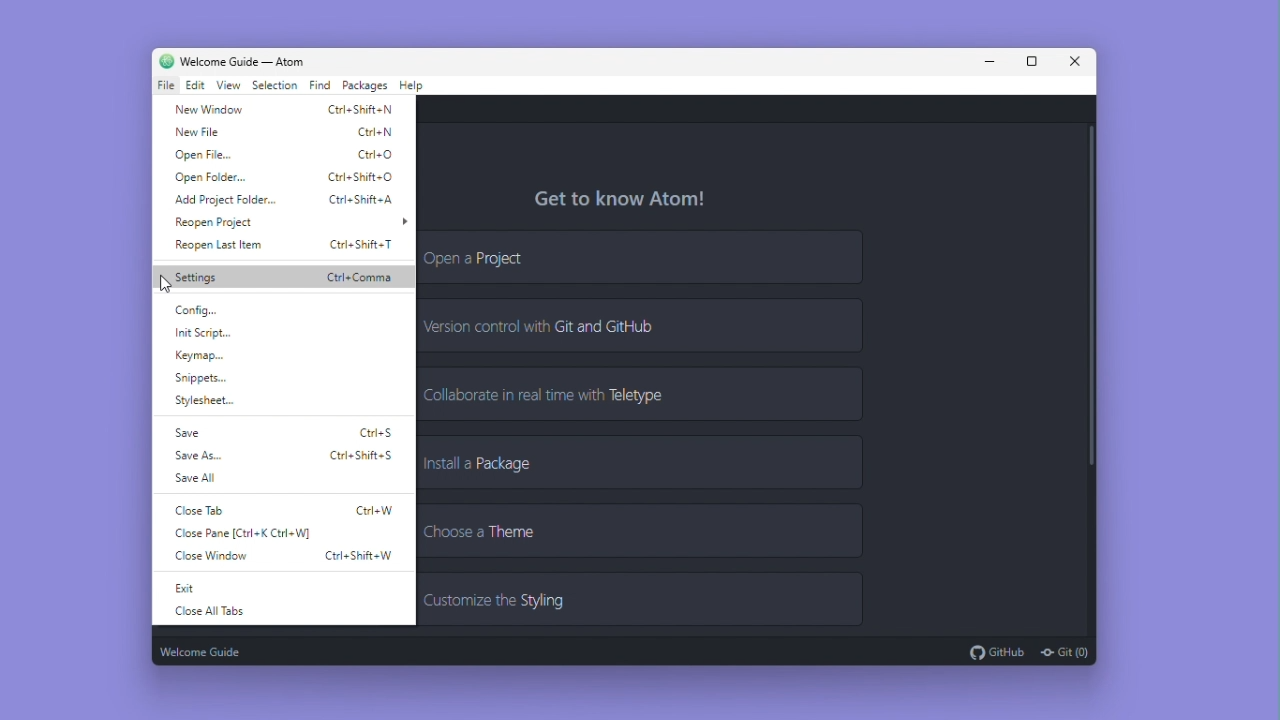 The width and height of the screenshot is (1280, 720). What do you see at coordinates (649, 325) in the screenshot?
I see `Version control with git and github` at bounding box center [649, 325].